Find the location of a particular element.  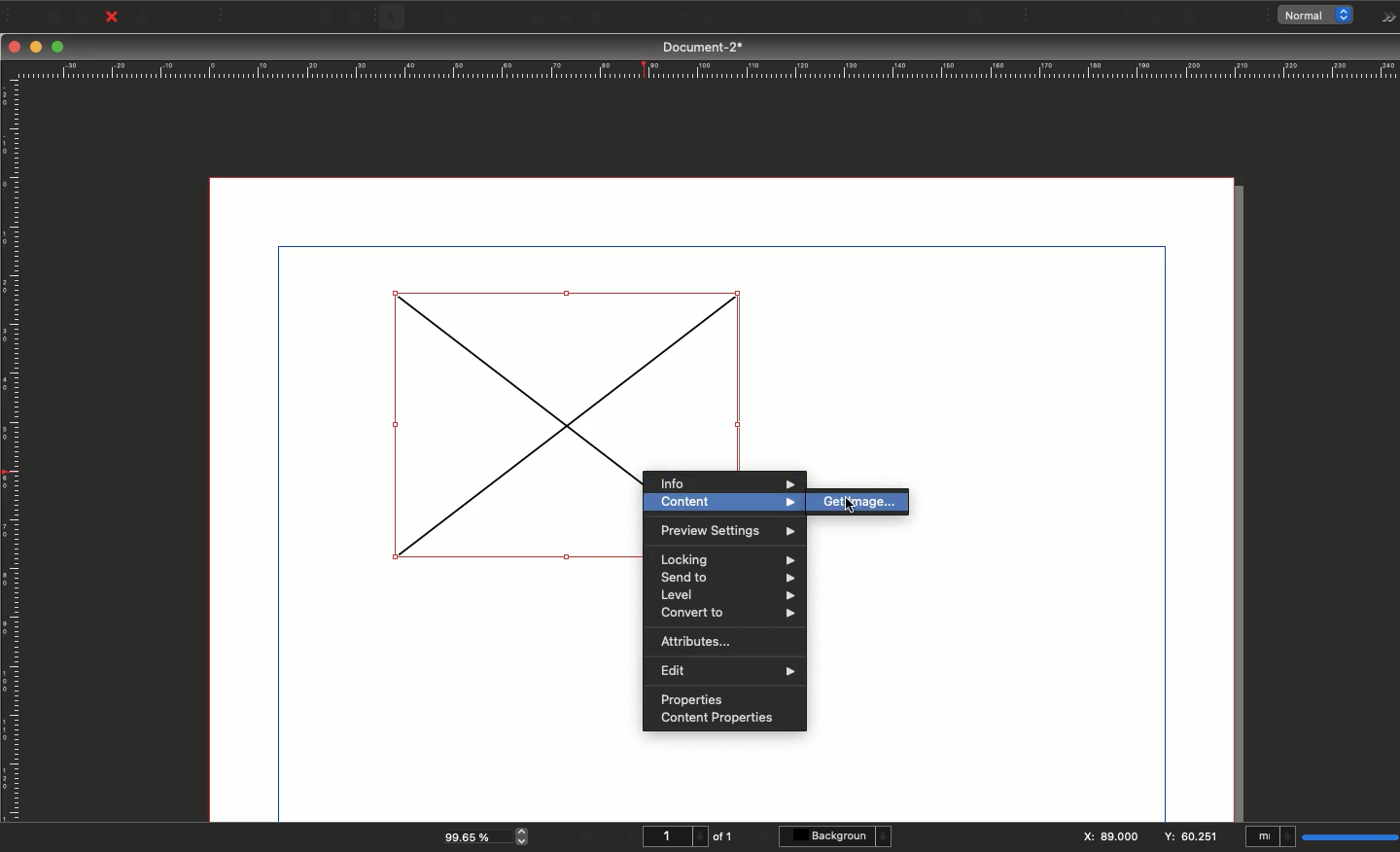

Paste is located at coordinates (361, 18).